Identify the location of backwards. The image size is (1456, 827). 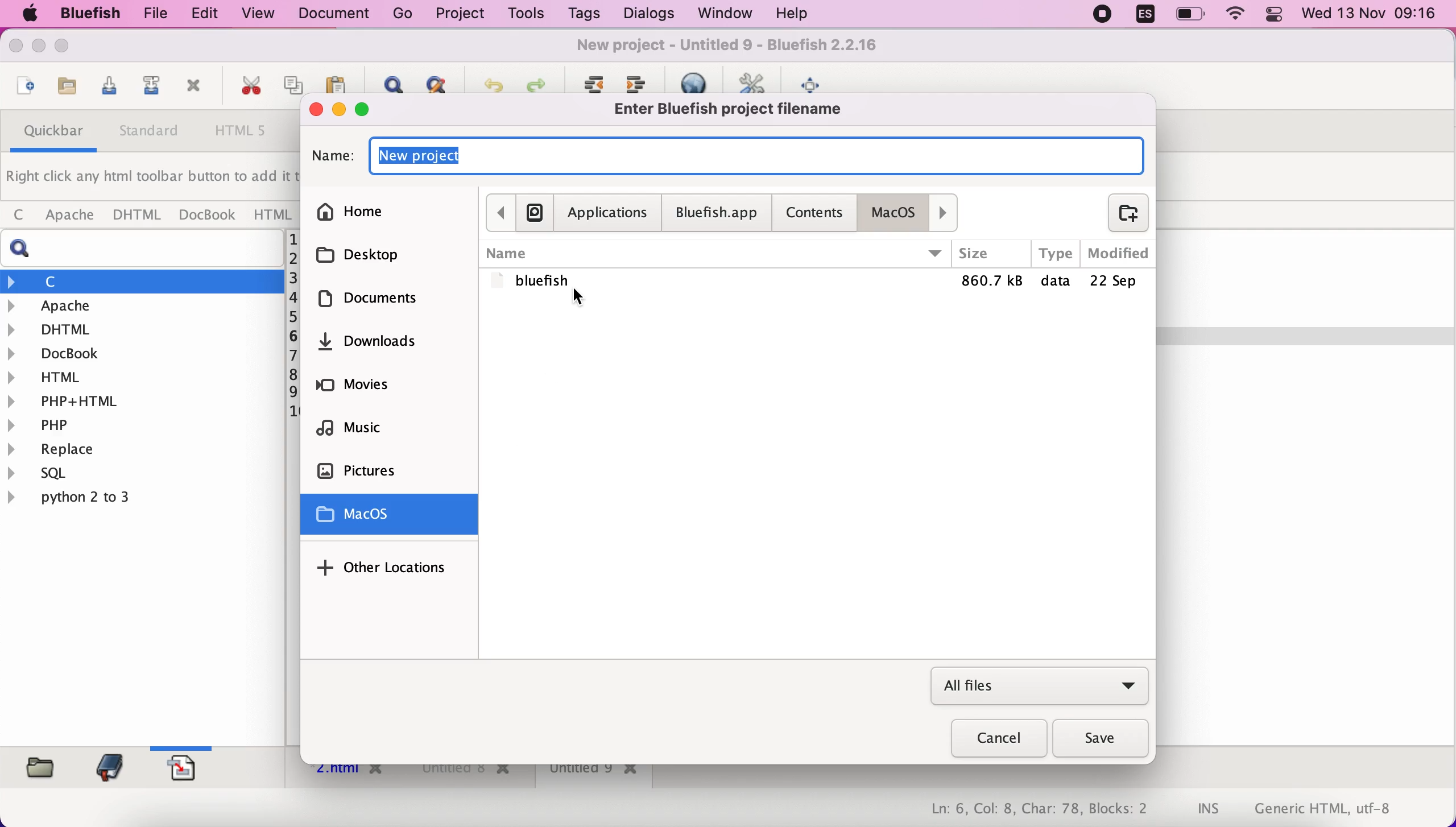
(499, 212).